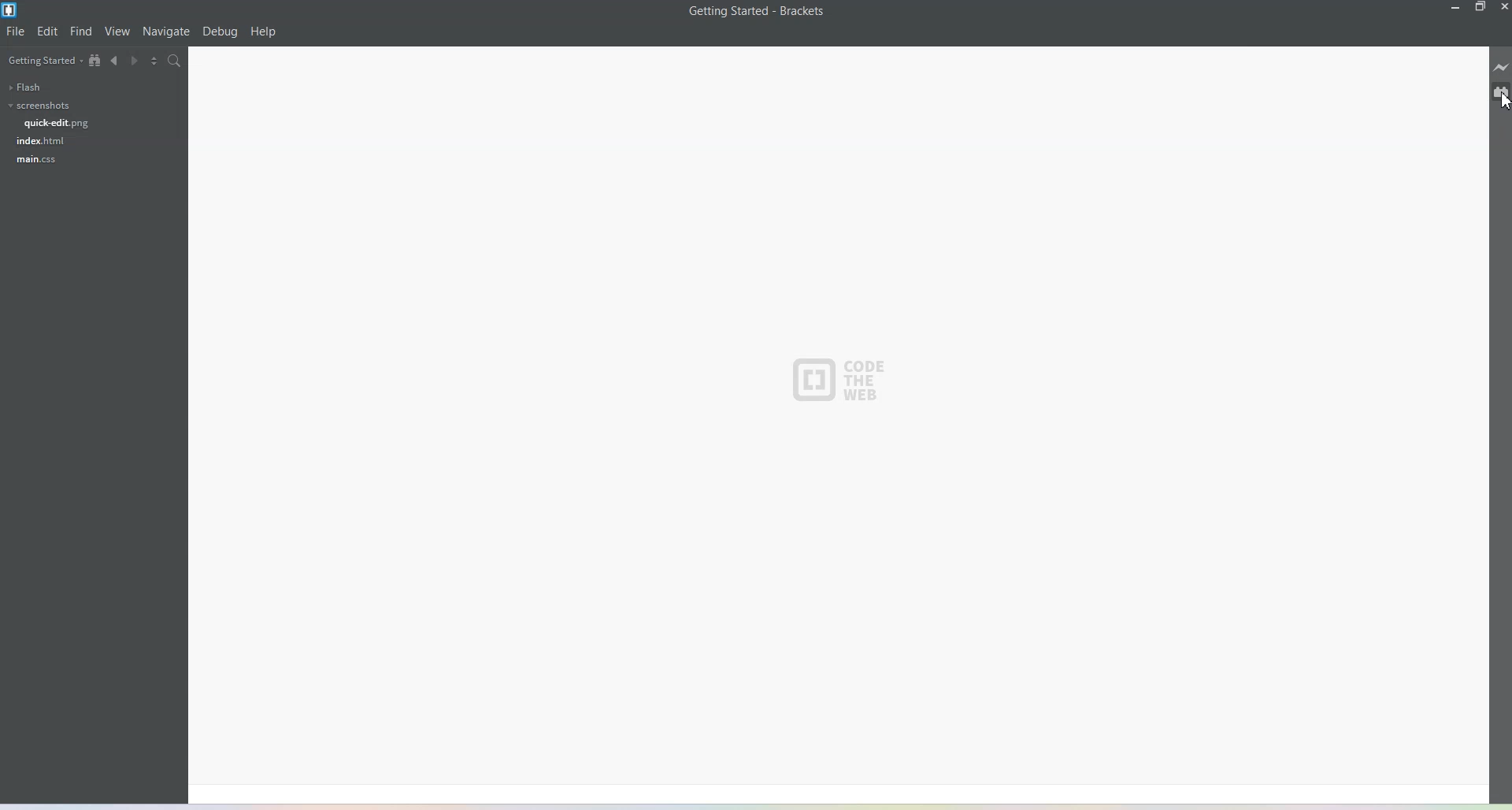 Image resolution: width=1512 pixels, height=810 pixels. I want to click on Debug, so click(220, 32).